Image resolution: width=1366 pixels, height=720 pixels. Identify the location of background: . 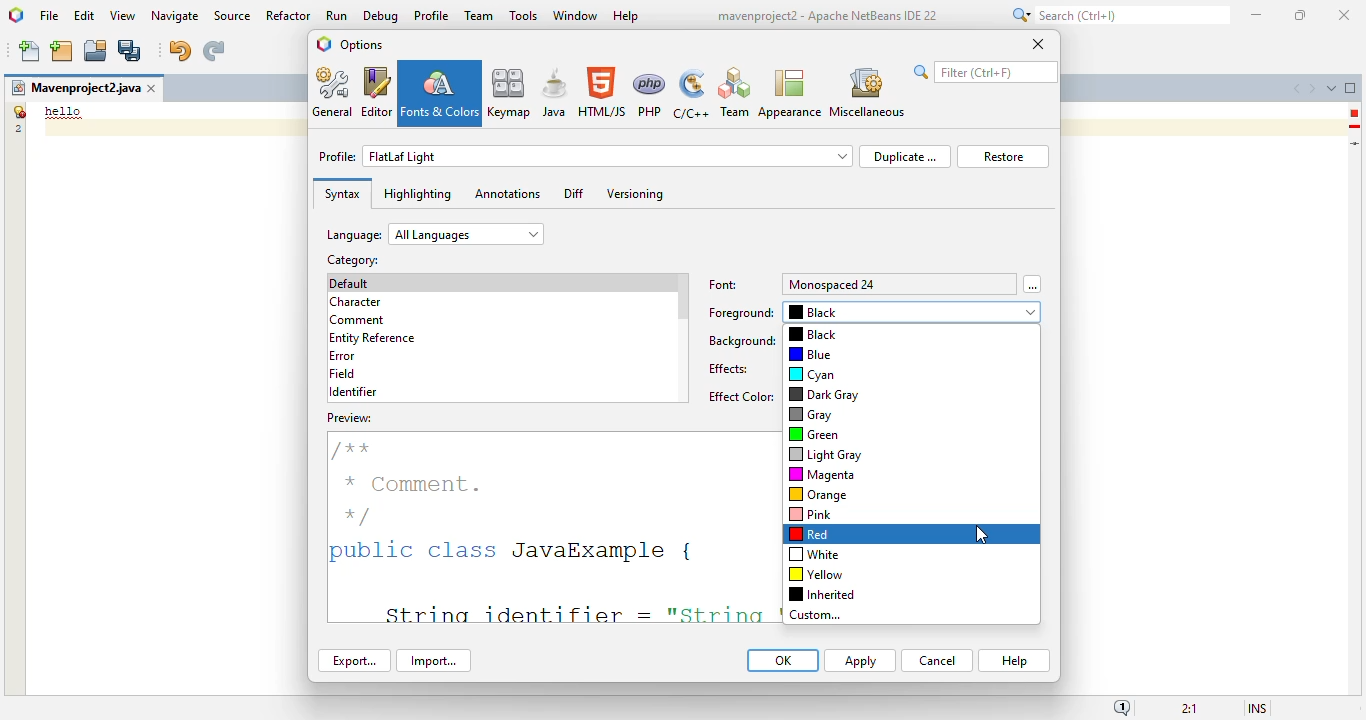
(743, 341).